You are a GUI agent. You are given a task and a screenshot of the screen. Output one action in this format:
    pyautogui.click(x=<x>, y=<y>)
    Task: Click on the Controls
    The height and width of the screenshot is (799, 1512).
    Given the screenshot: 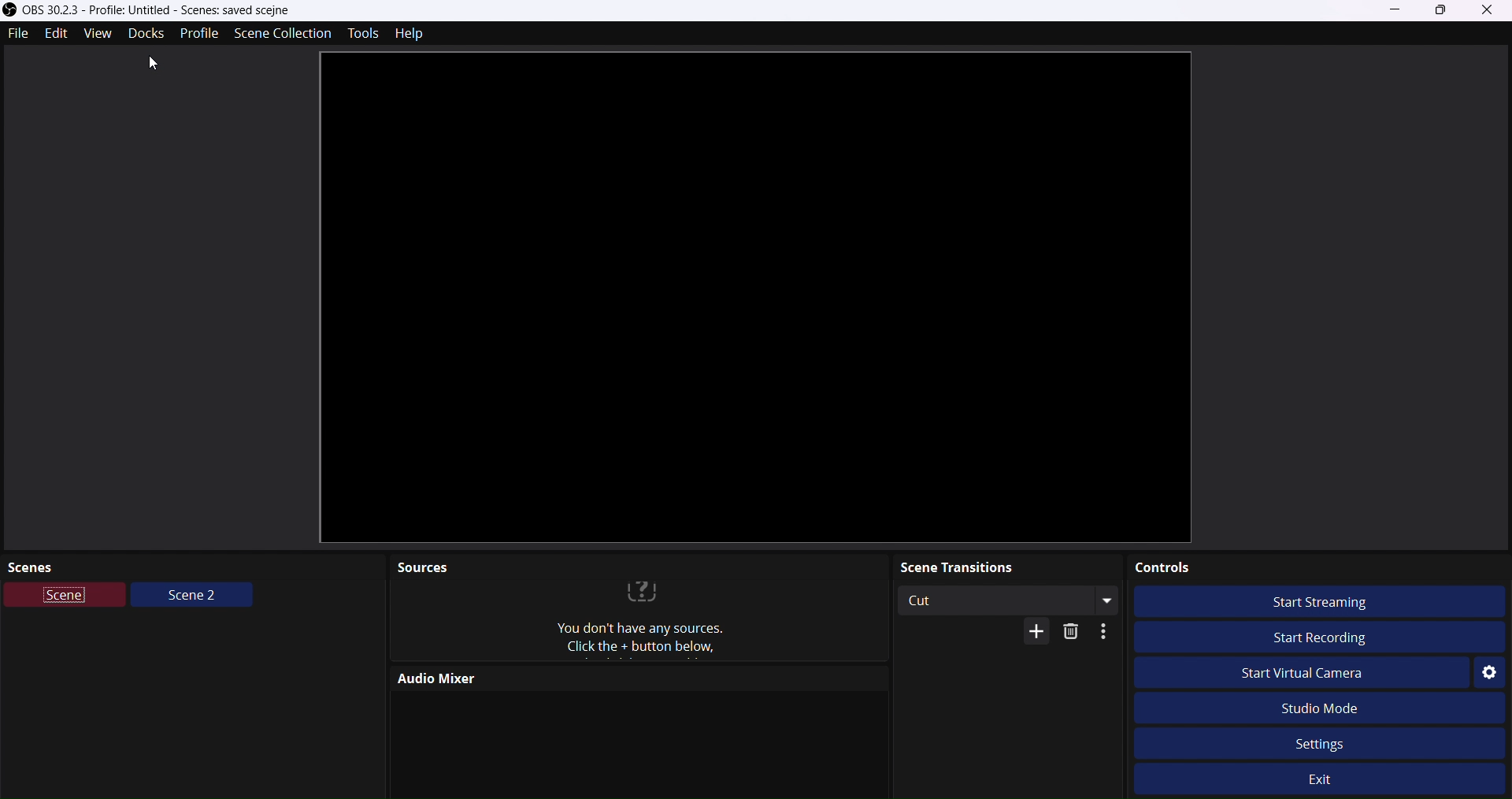 What is the action you would take?
    pyautogui.click(x=1317, y=566)
    